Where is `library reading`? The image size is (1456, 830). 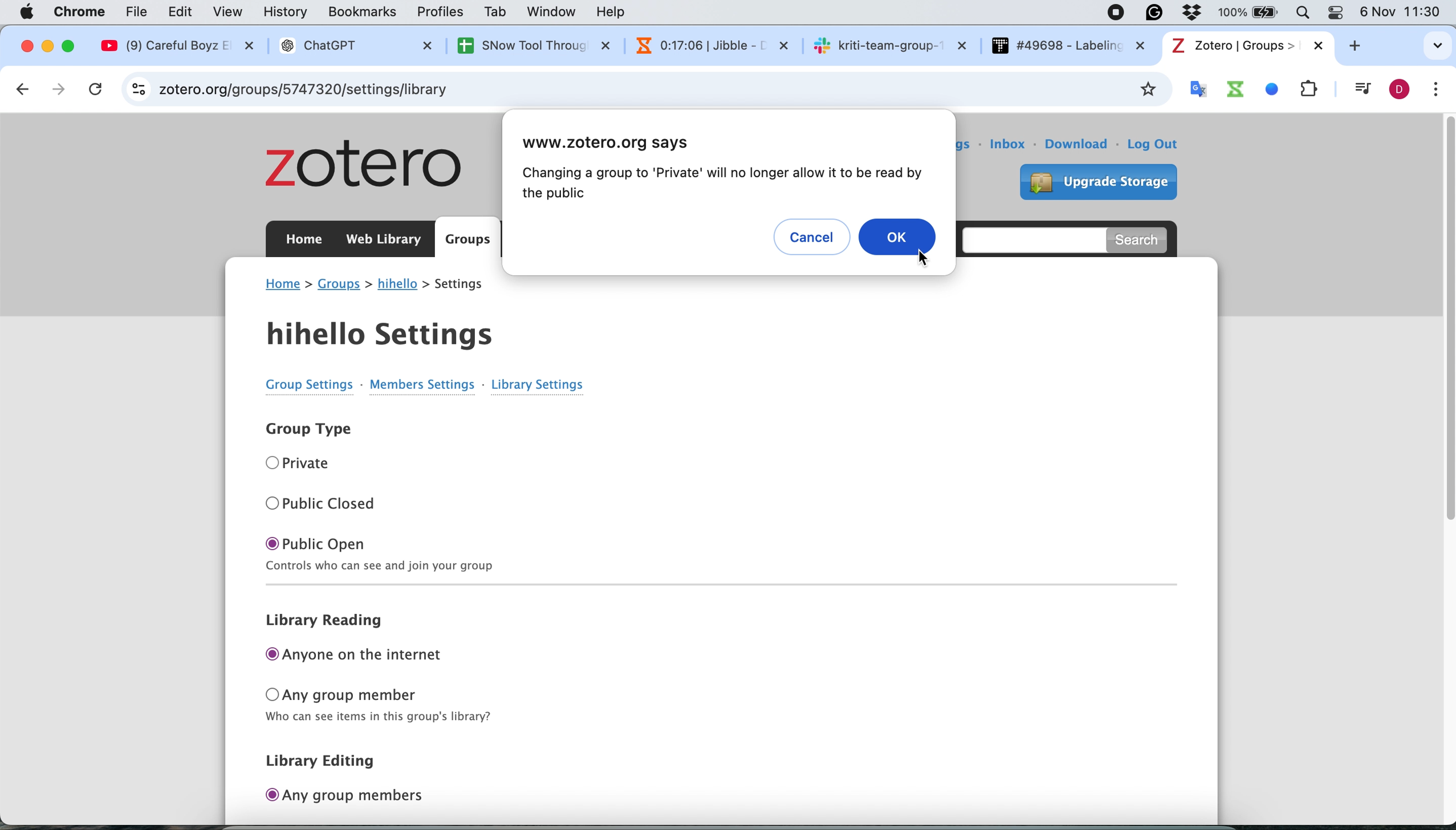
library reading is located at coordinates (334, 622).